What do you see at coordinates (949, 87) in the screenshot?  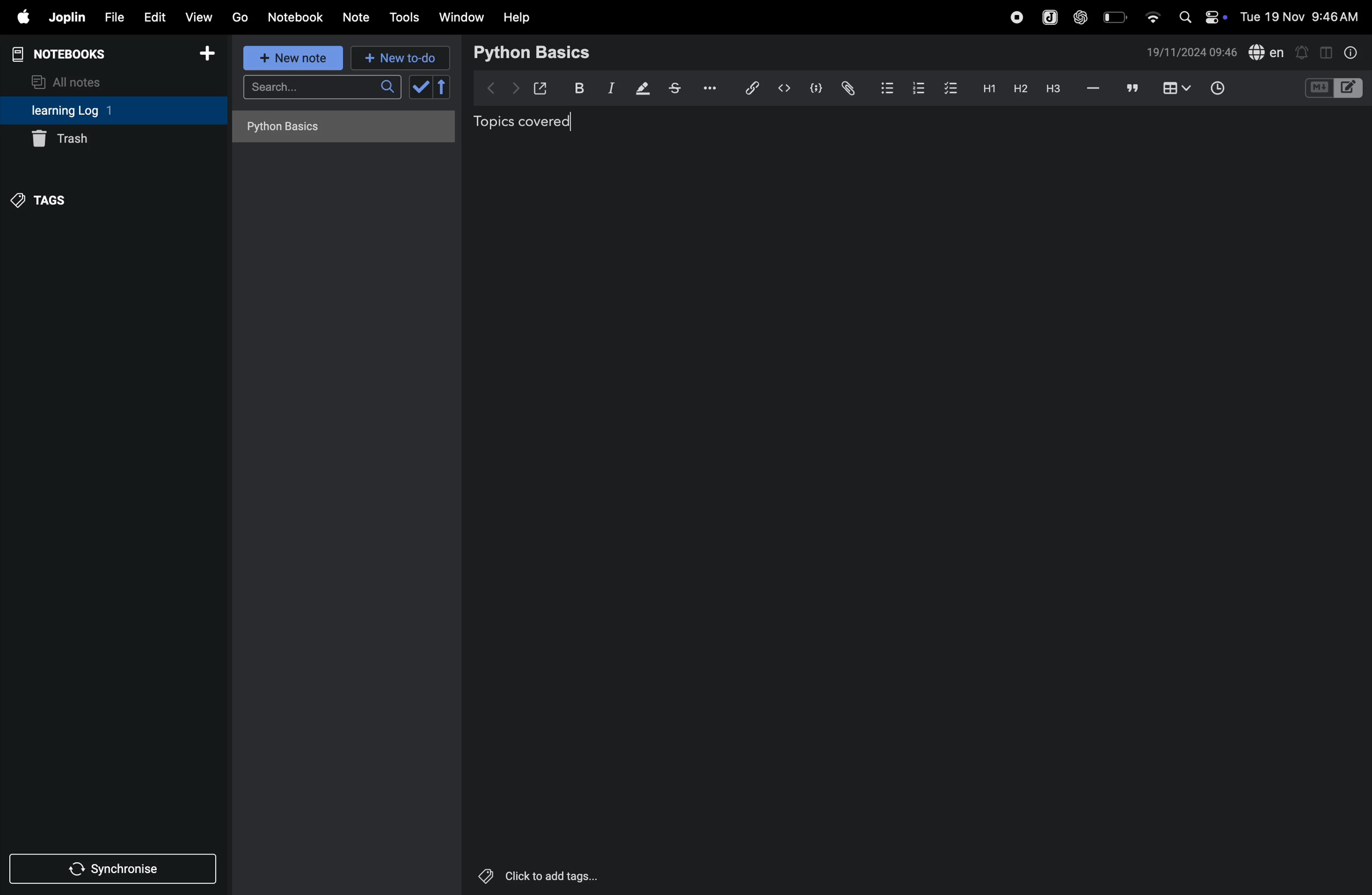 I see `checkbox` at bounding box center [949, 87].